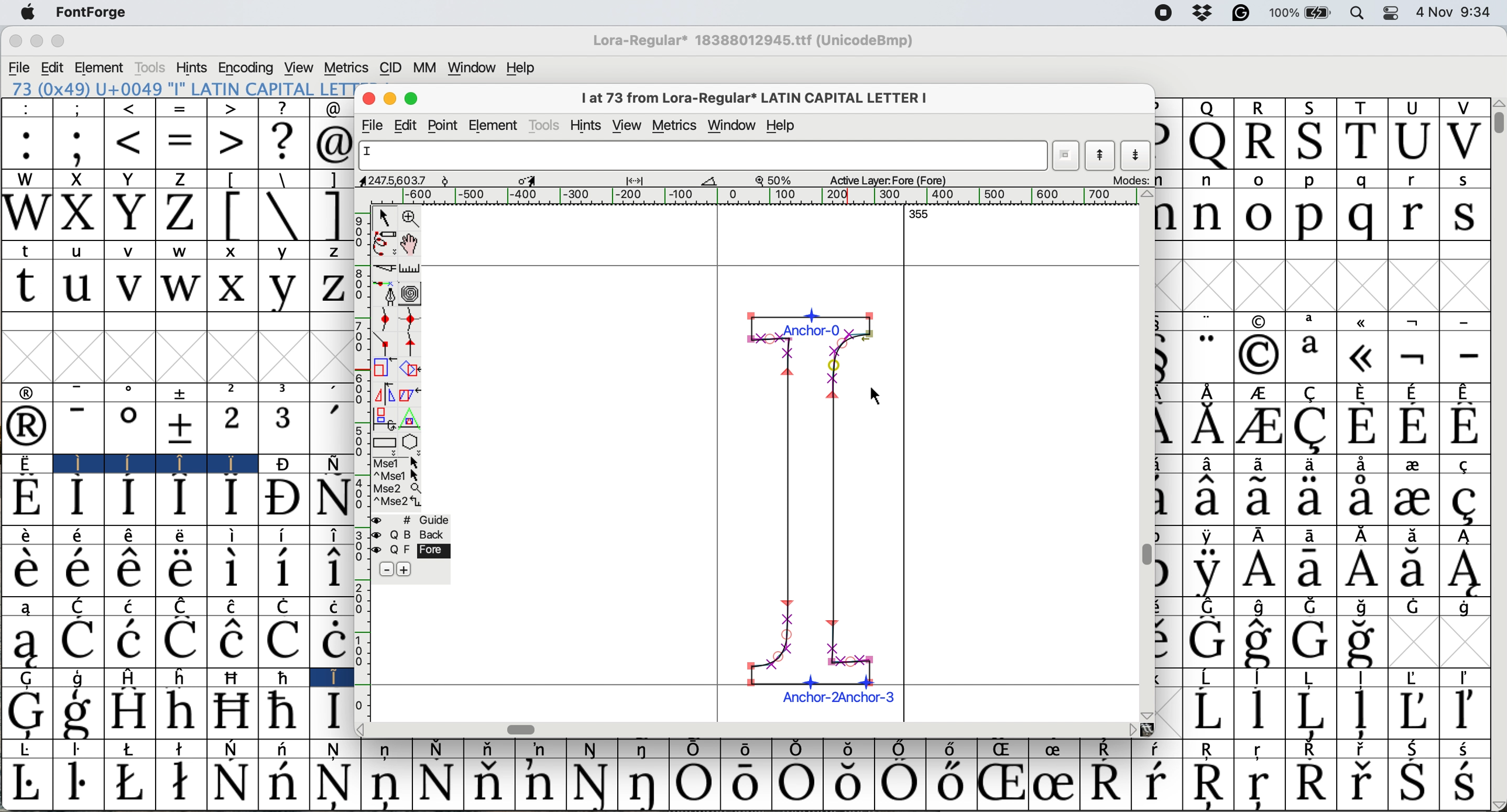 The height and width of the screenshot is (812, 1507). I want to click on system logo, so click(26, 12).